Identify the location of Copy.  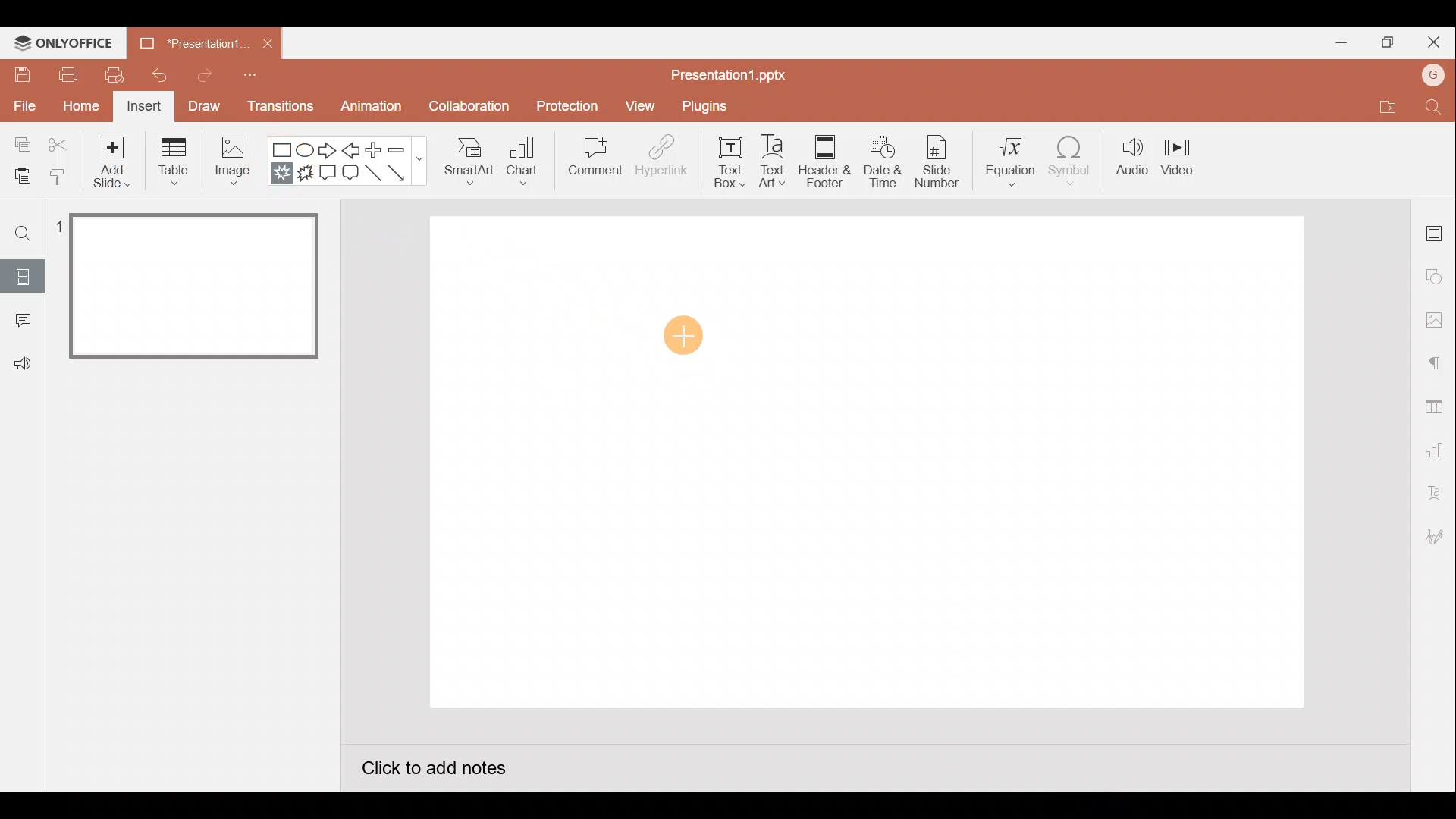
(19, 143).